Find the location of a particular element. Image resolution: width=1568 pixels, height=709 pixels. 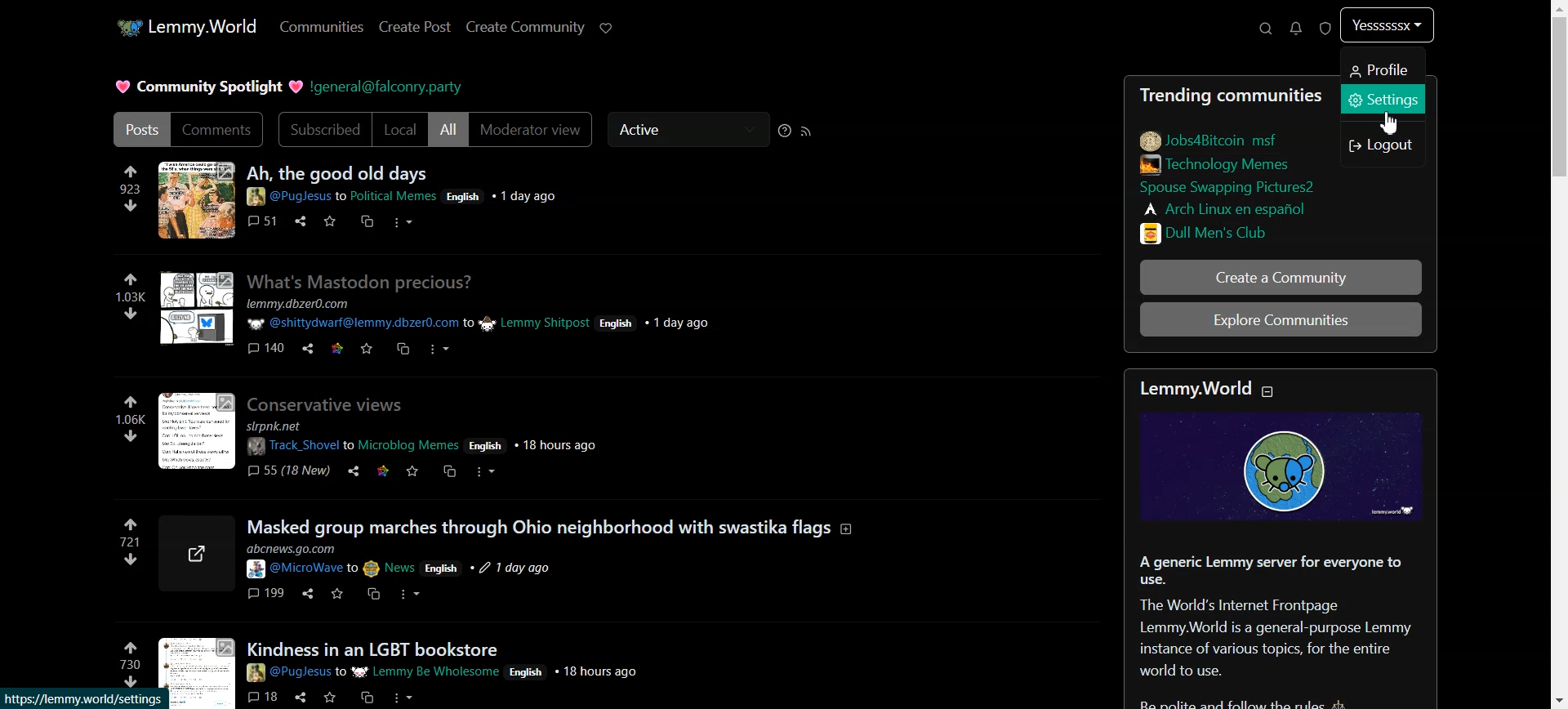

comments is located at coordinates (262, 697).